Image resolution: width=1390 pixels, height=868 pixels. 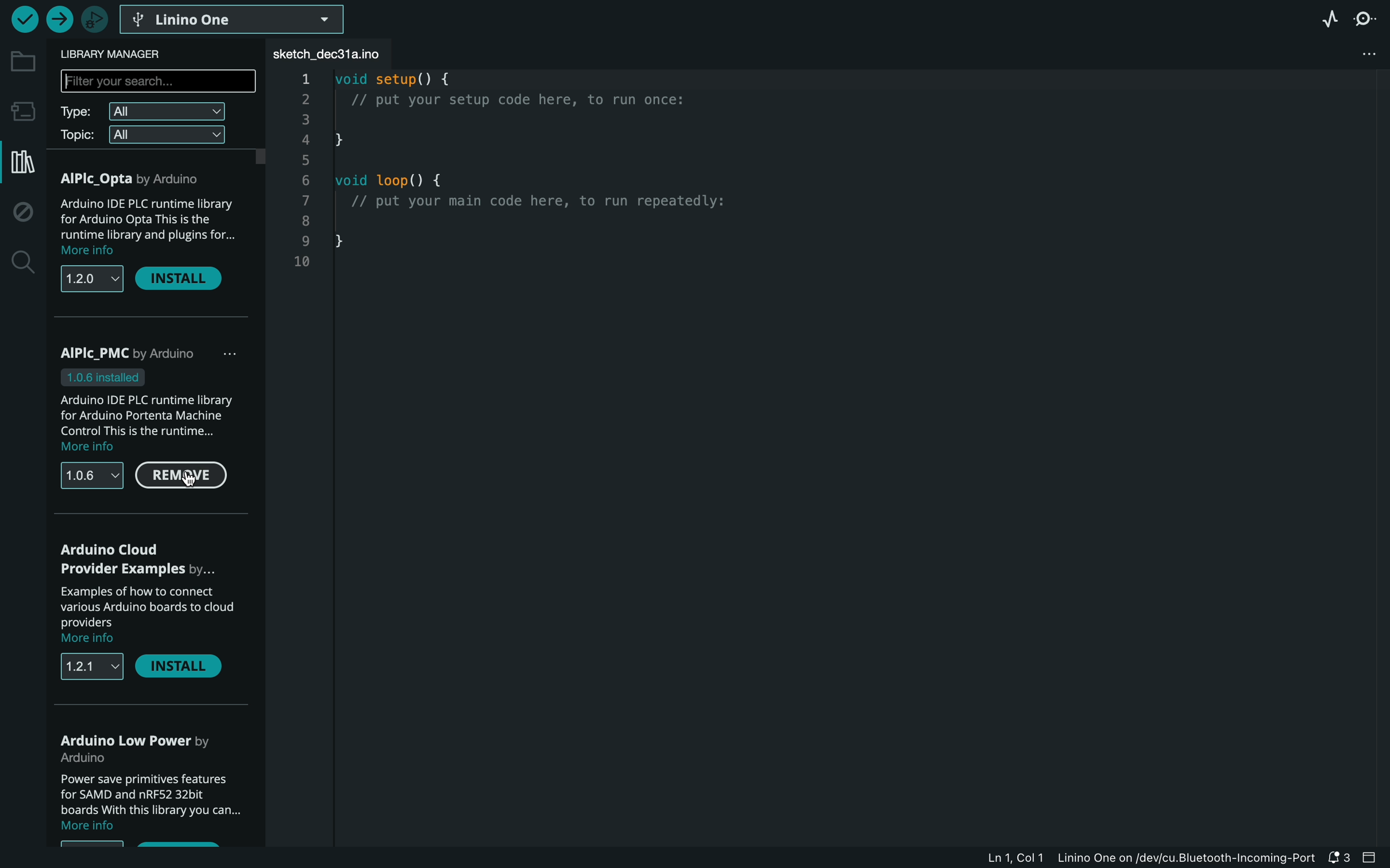 I want to click on AlPlc Opta, so click(x=140, y=180).